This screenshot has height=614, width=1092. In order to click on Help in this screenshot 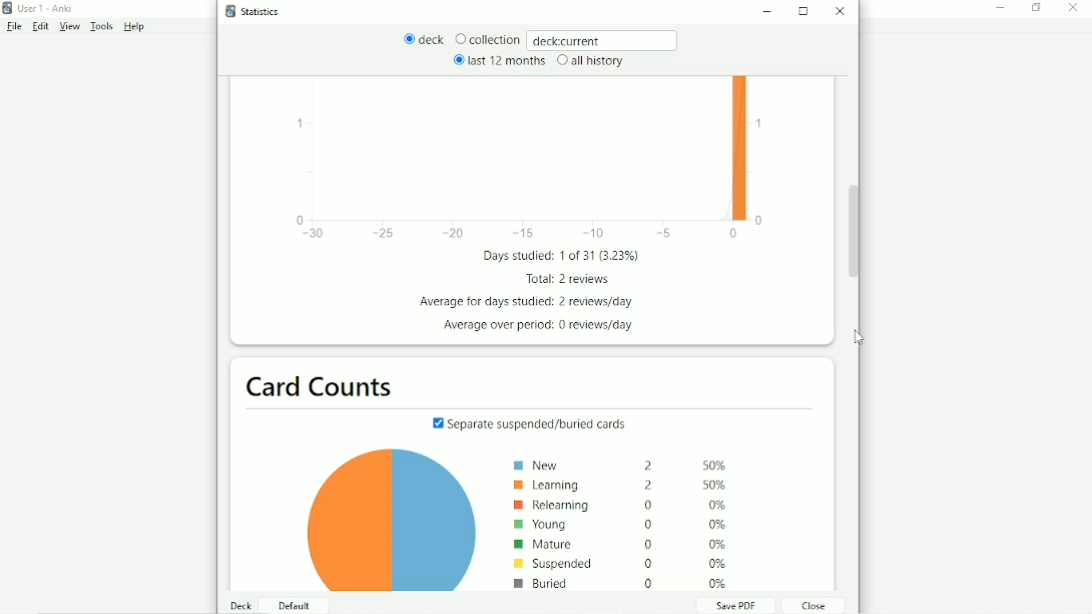, I will do `click(135, 27)`.